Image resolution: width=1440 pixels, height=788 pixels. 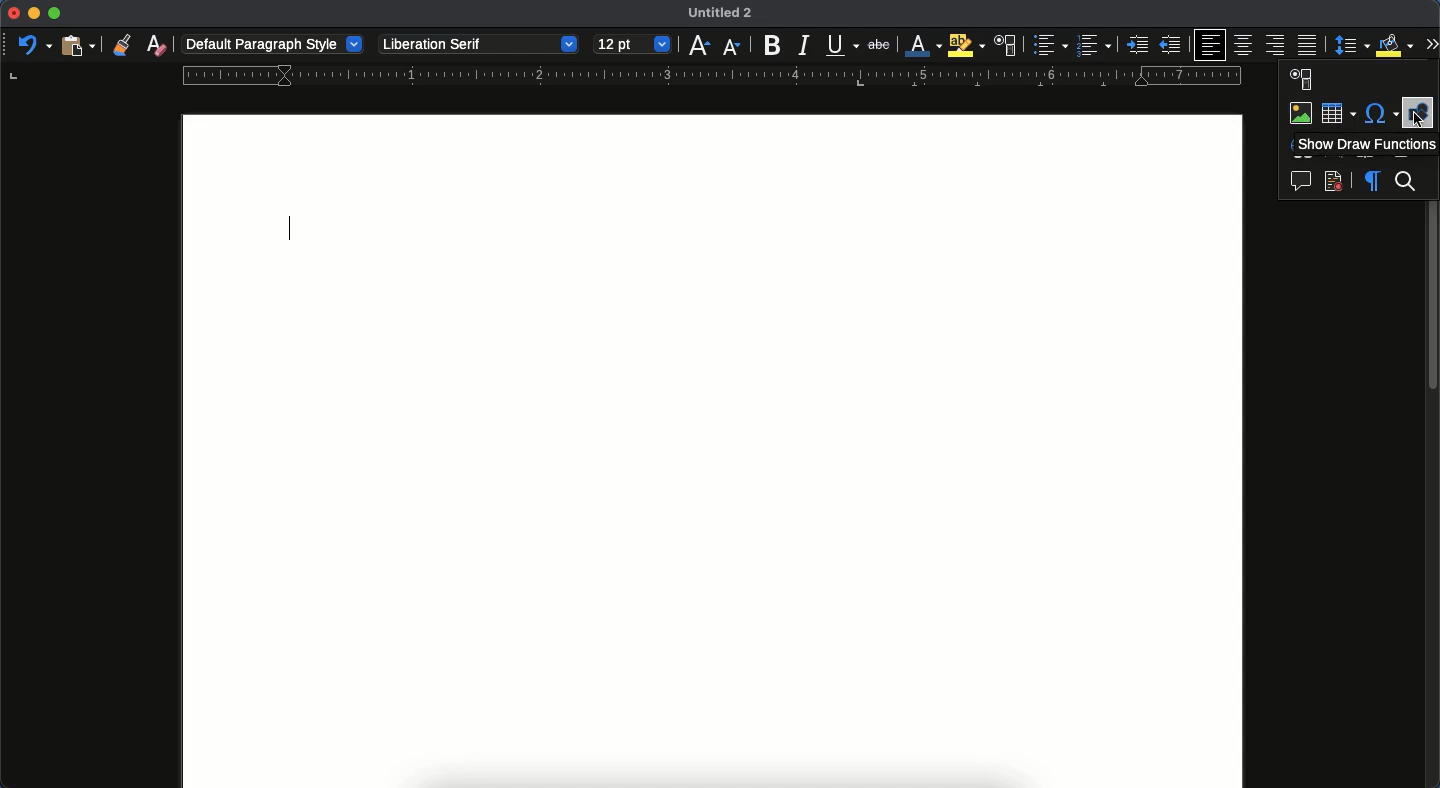 I want to click on fill color, so click(x=1392, y=46).